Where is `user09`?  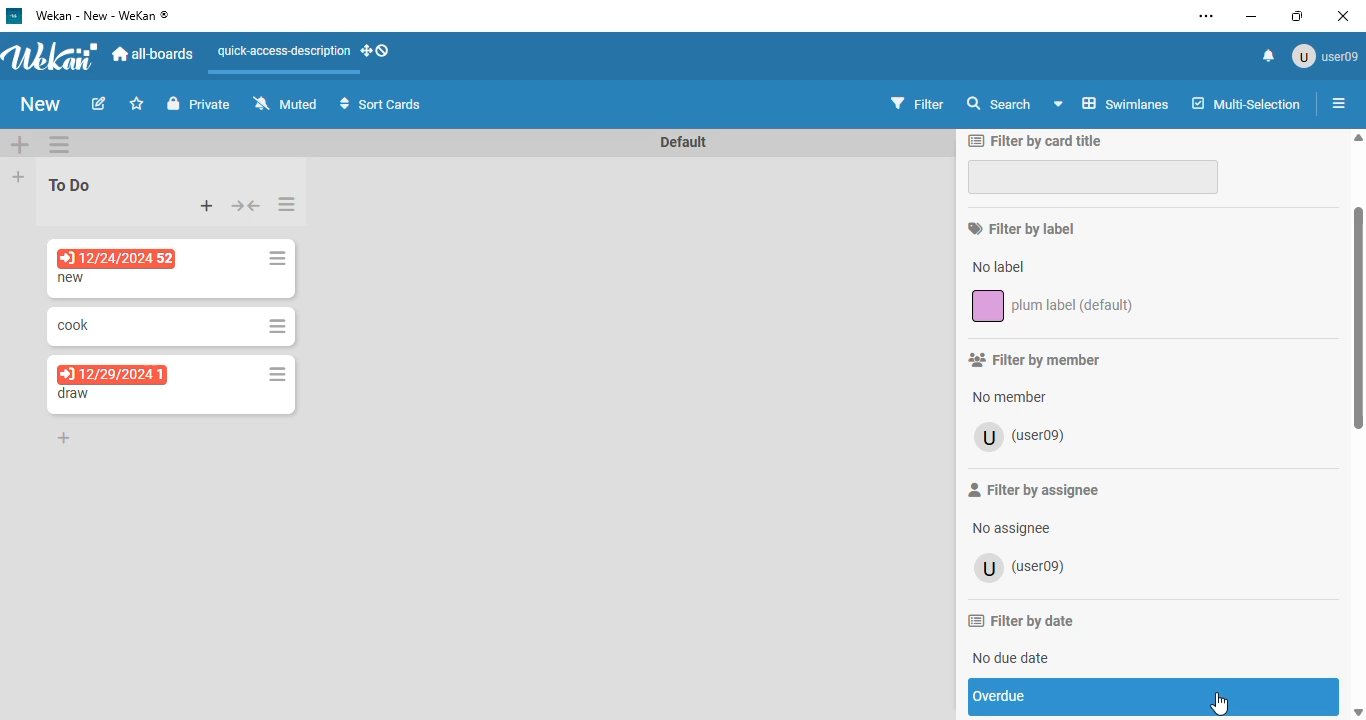 user09 is located at coordinates (1022, 567).